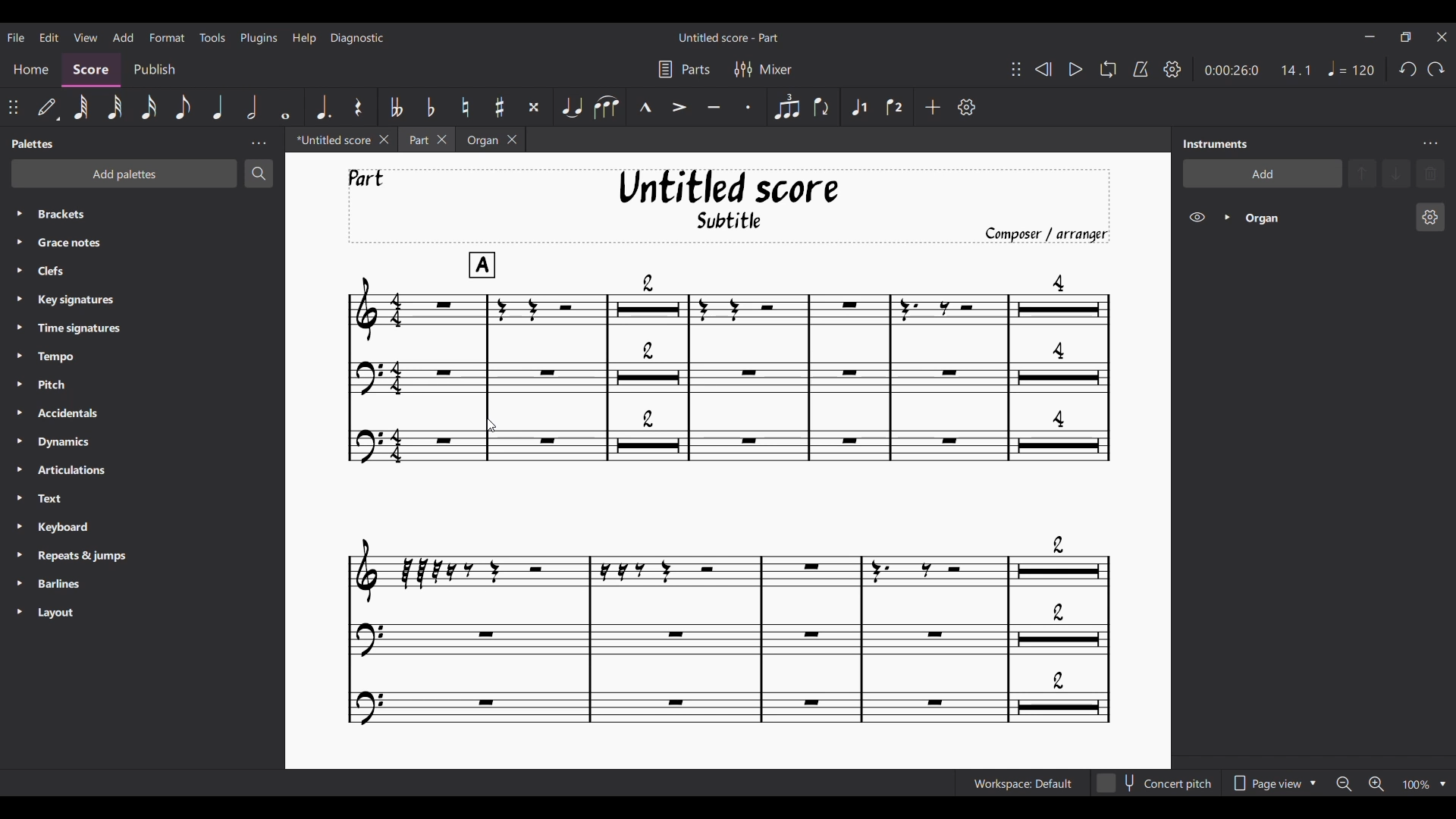 The width and height of the screenshot is (1456, 819). I want to click on Voice 2, so click(893, 107).